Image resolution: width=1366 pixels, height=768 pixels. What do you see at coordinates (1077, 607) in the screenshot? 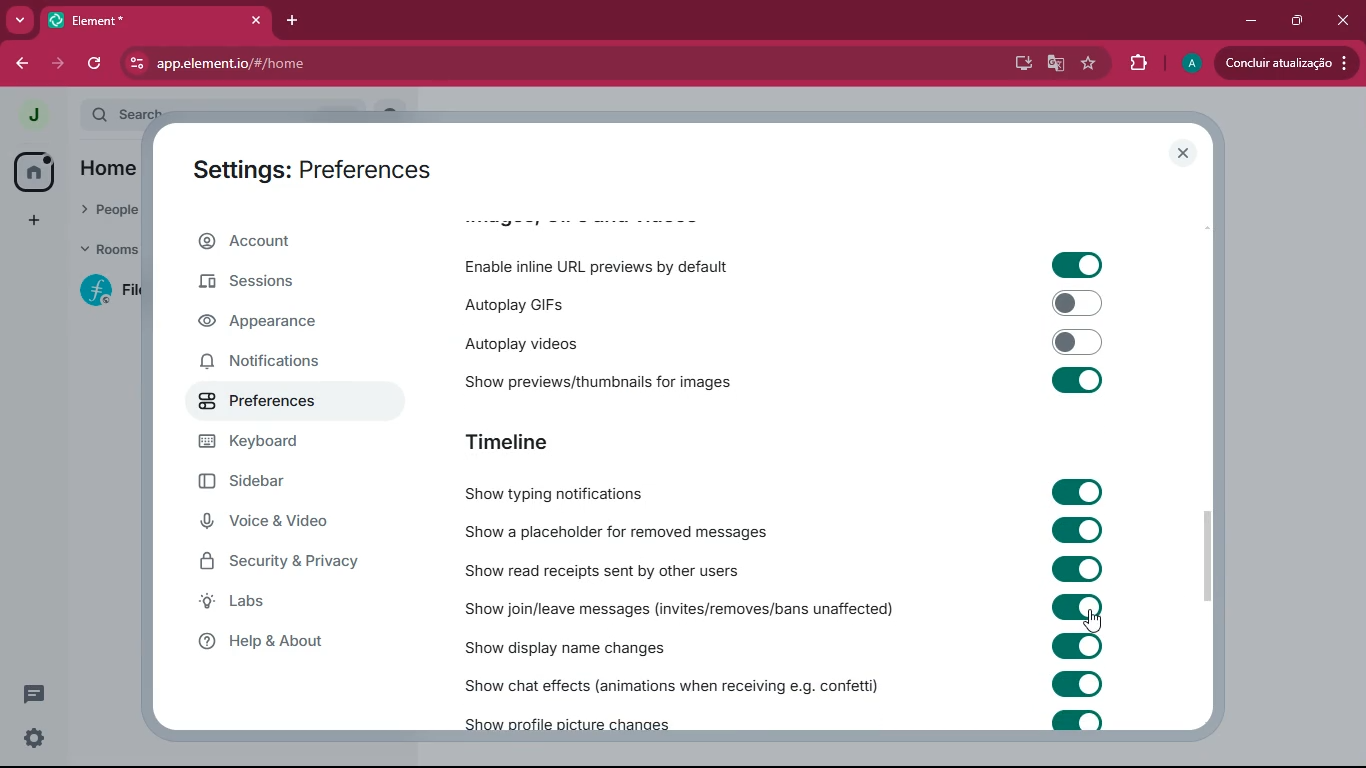
I see `toggle on/off` at bounding box center [1077, 607].